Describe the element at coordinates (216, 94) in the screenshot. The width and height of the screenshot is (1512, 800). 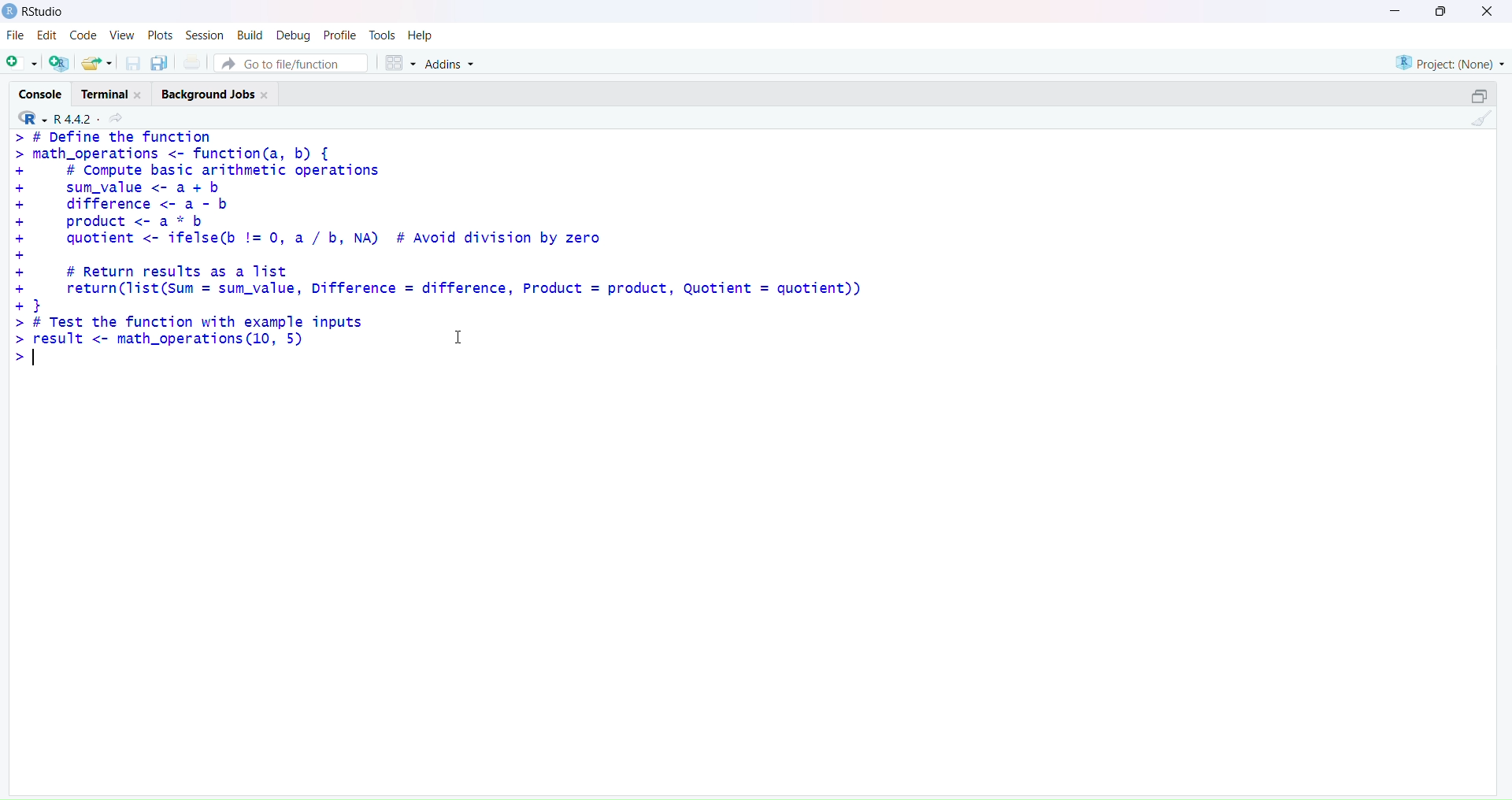
I see `Background Jobs` at that location.